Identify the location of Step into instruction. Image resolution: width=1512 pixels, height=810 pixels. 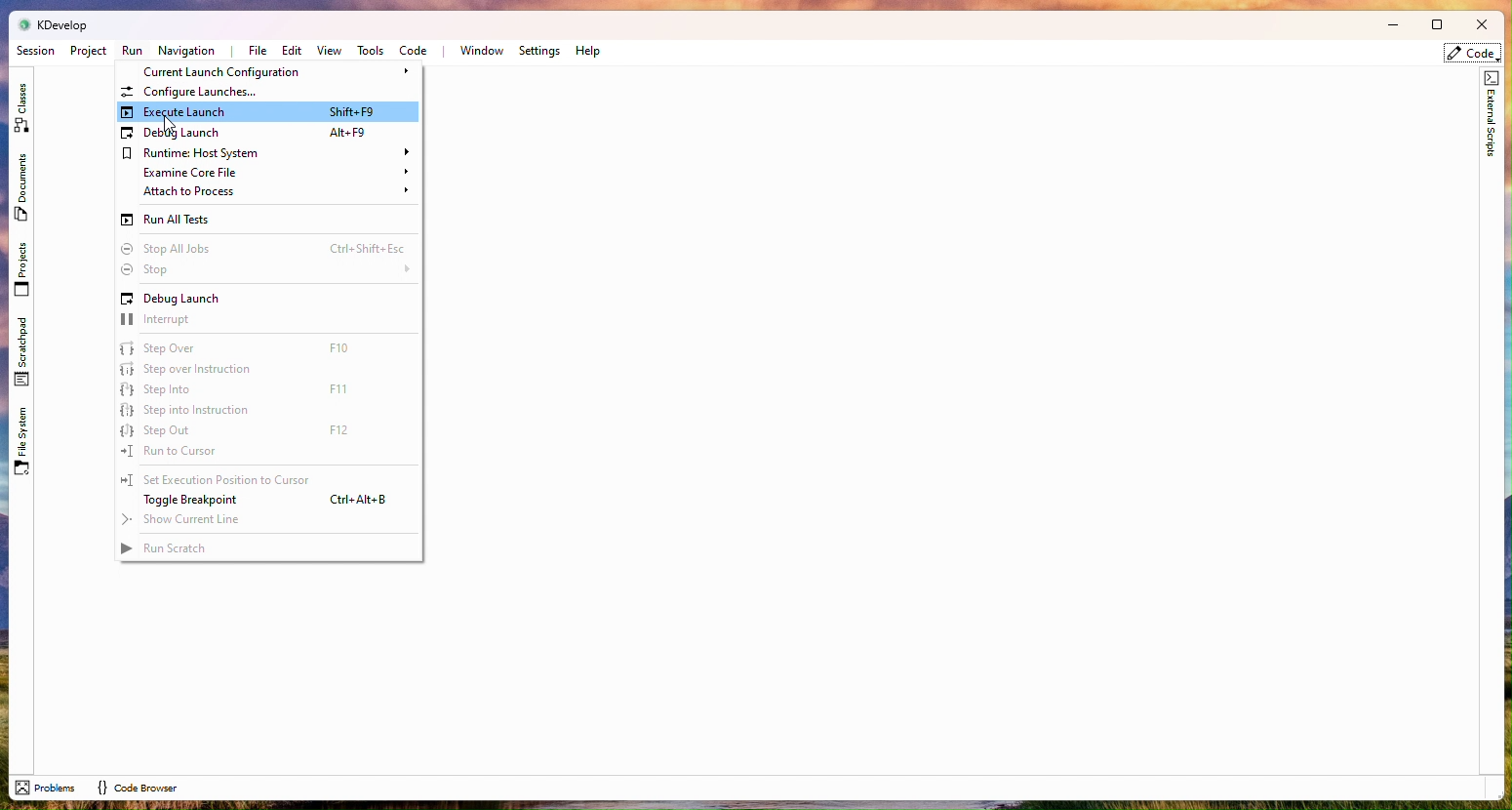
(221, 410).